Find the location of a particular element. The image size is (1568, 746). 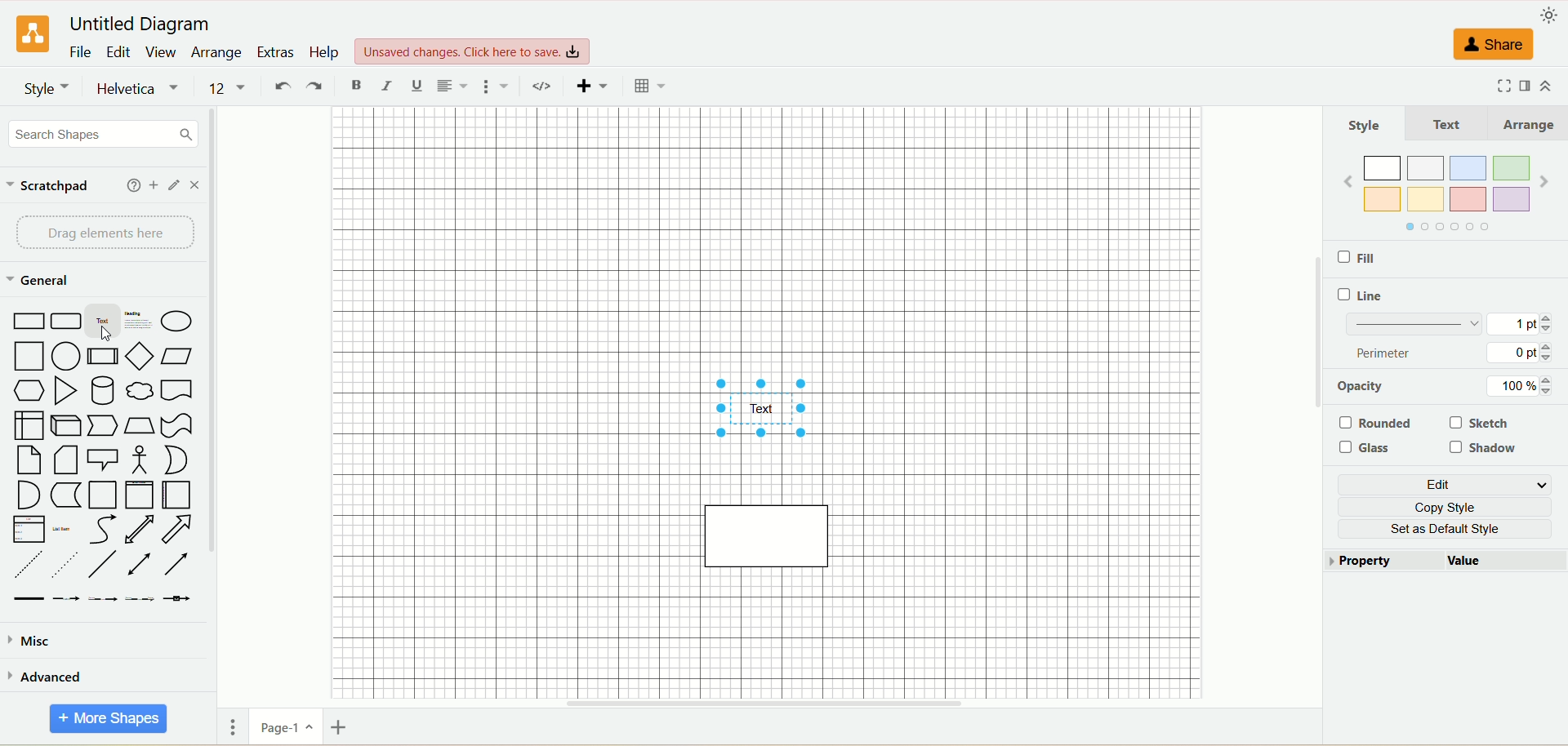

cloud is located at coordinates (140, 390).